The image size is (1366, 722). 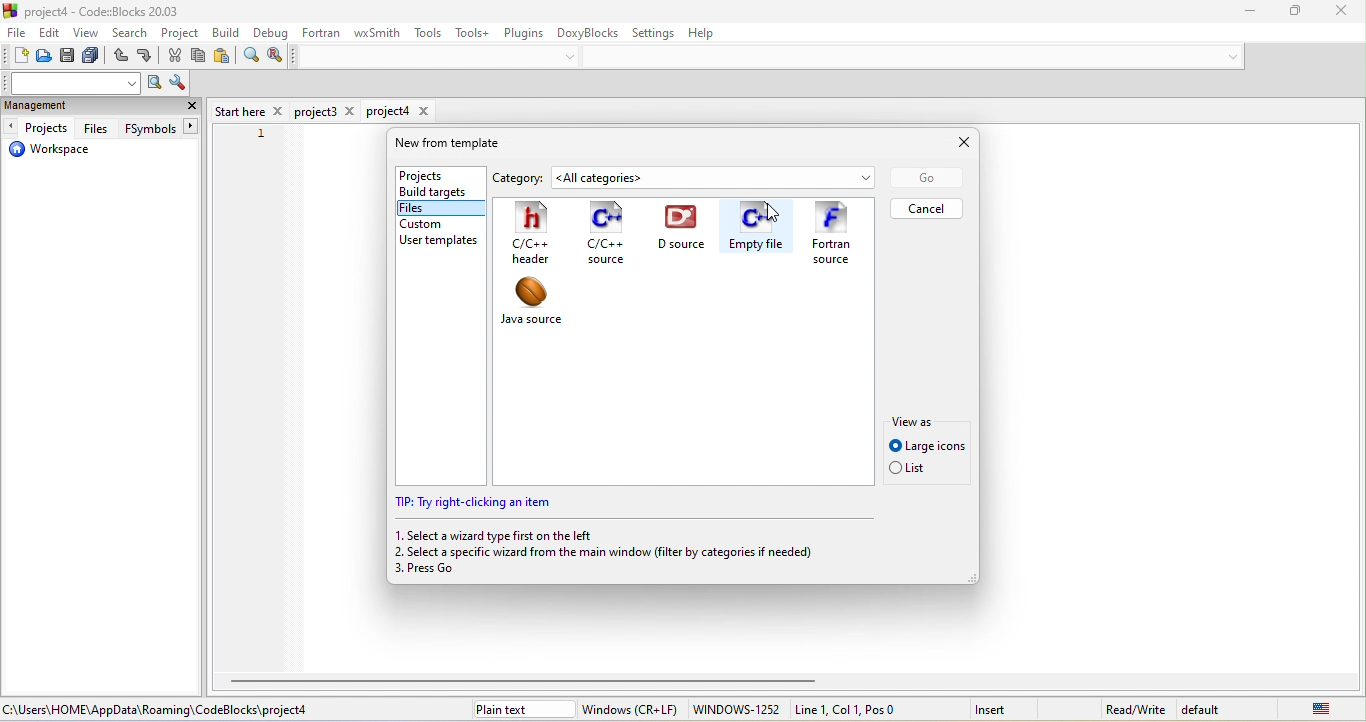 What do you see at coordinates (70, 58) in the screenshot?
I see `save` at bounding box center [70, 58].